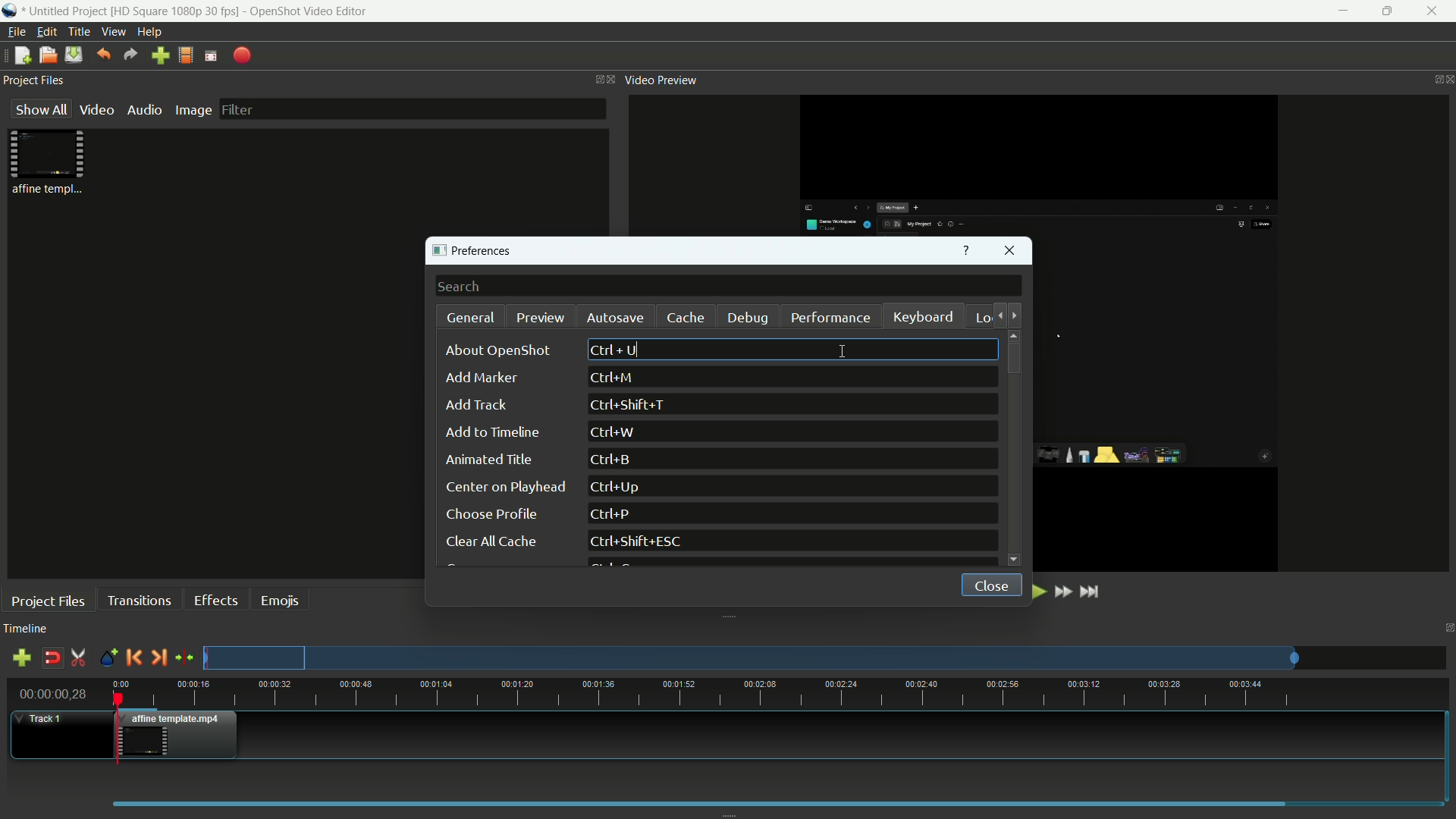 The height and width of the screenshot is (819, 1456). What do you see at coordinates (218, 600) in the screenshot?
I see `effects` at bounding box center [218, 600].